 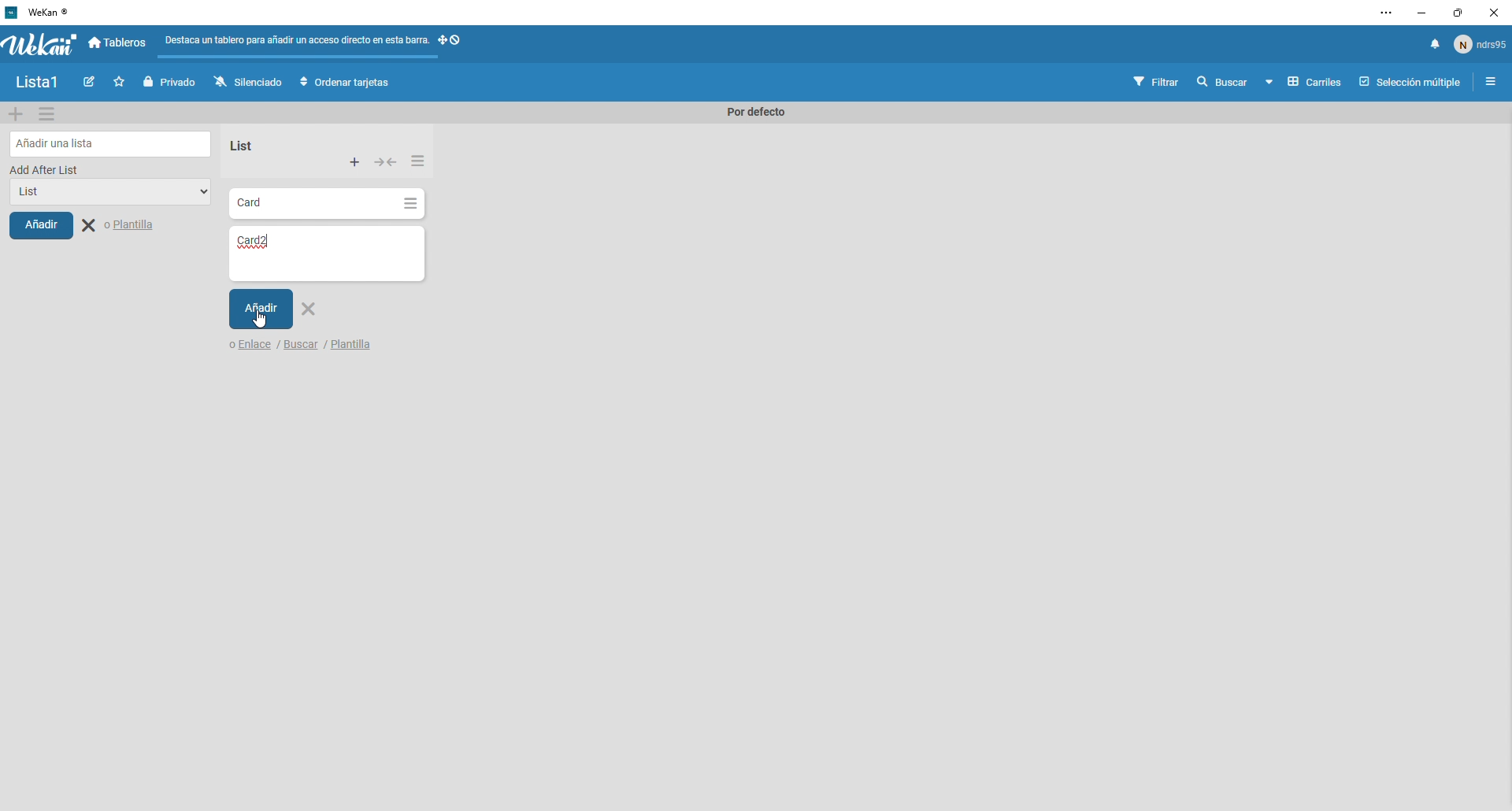 What do you see at coordinates (39, 44) in the screenshot?
I see `Wekan` at bounding box center [39, 44].